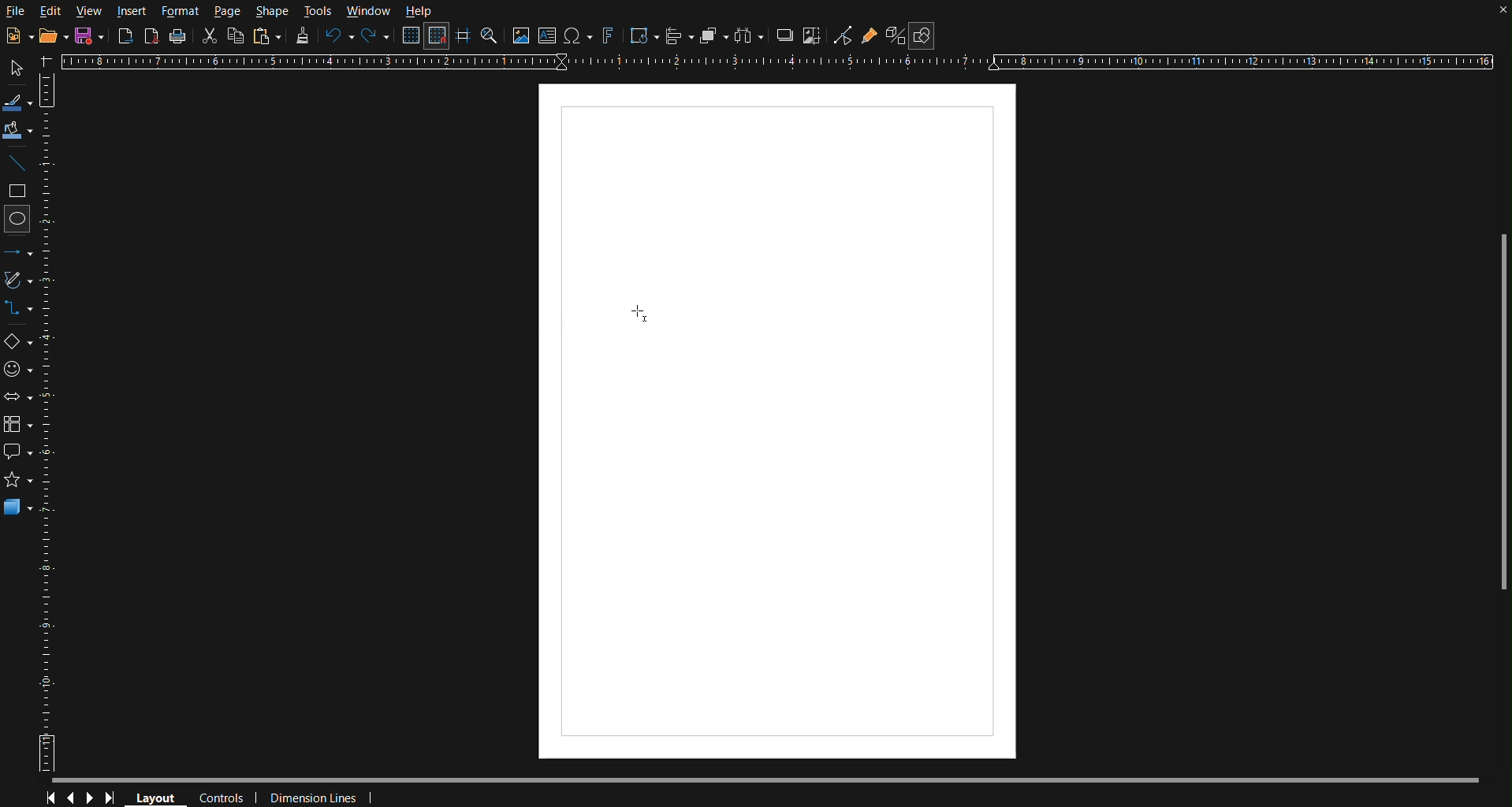  What do you see at coordinates (778, 775) in the screenshot?
I see `Scrollbar` at bounding box center [778, 775].